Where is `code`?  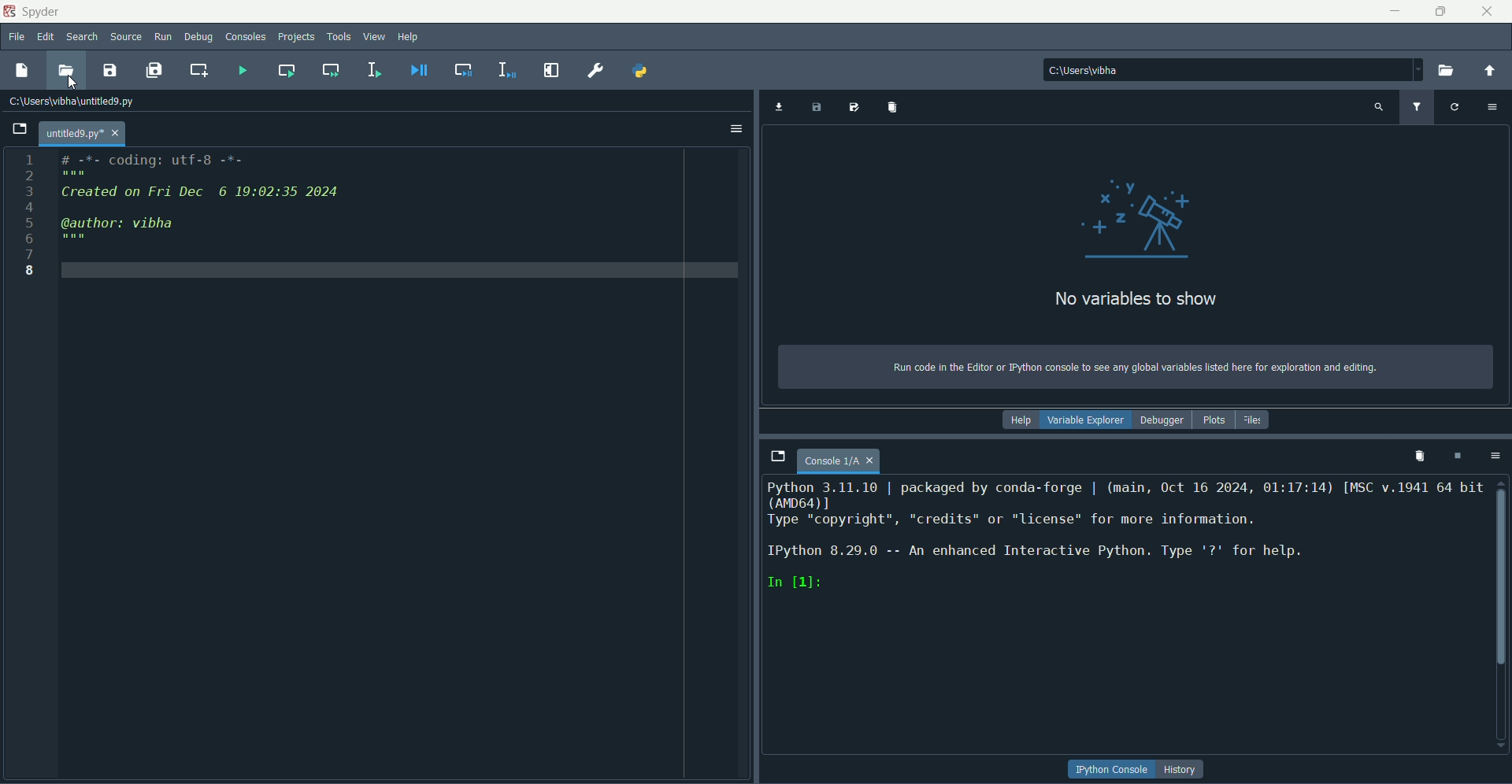 code is located at coordinates (198, 199).